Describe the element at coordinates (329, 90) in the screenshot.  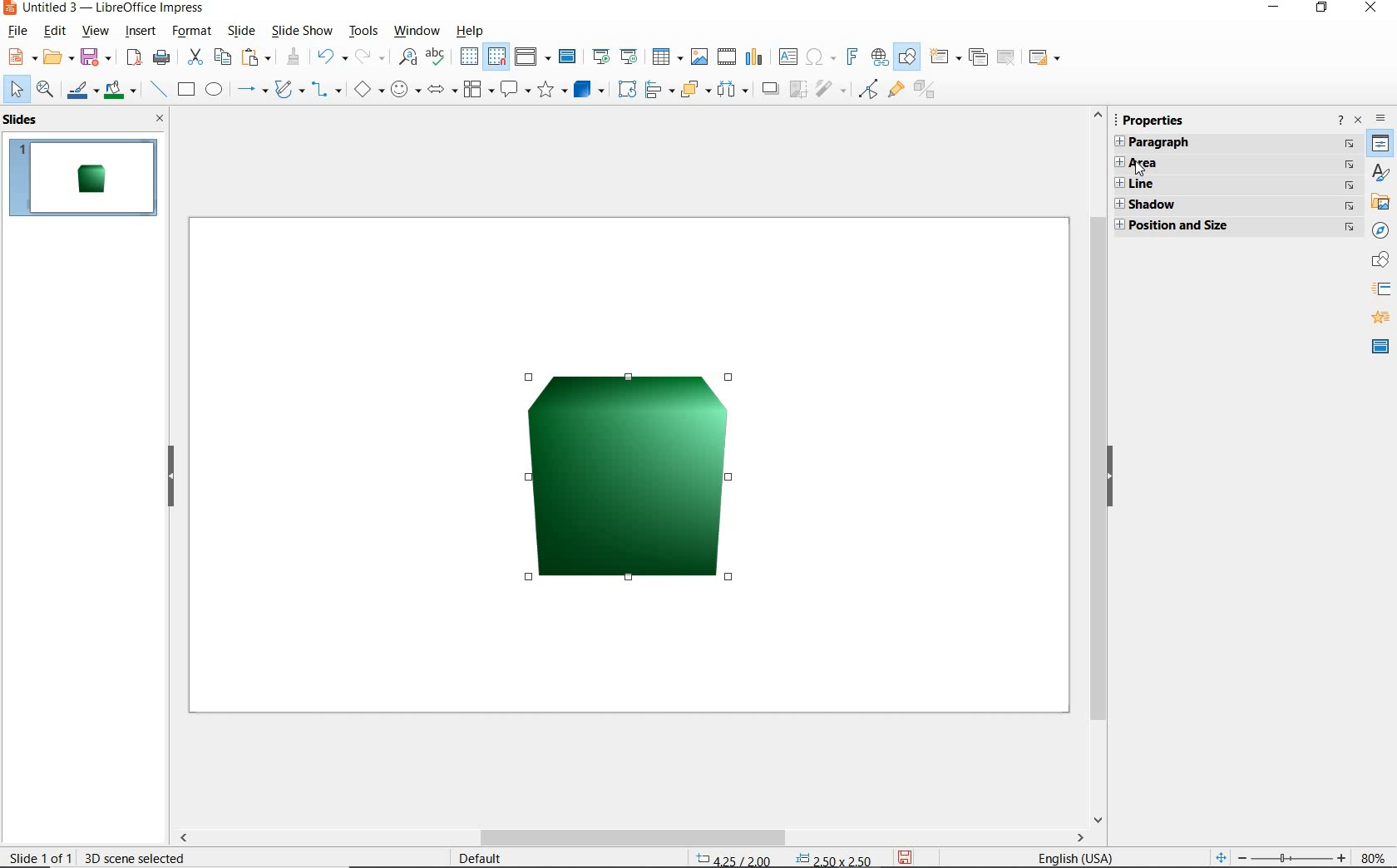
I see `connectors` at that location.